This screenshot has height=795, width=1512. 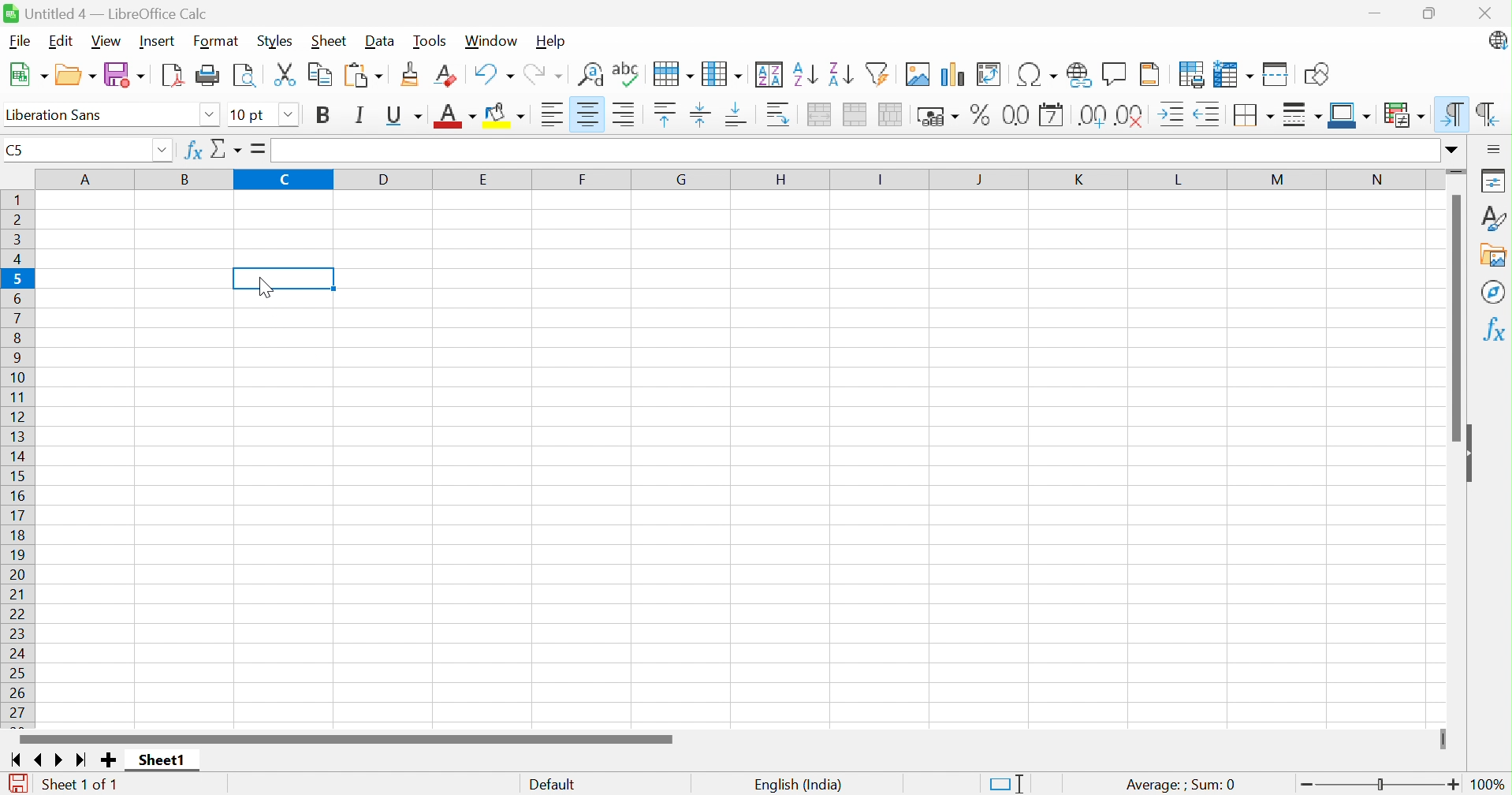 What do you see at coordinates (1077, 74) in the screenshot?
I see `Insert Hyperlink` at bounding box center [1077, 74].